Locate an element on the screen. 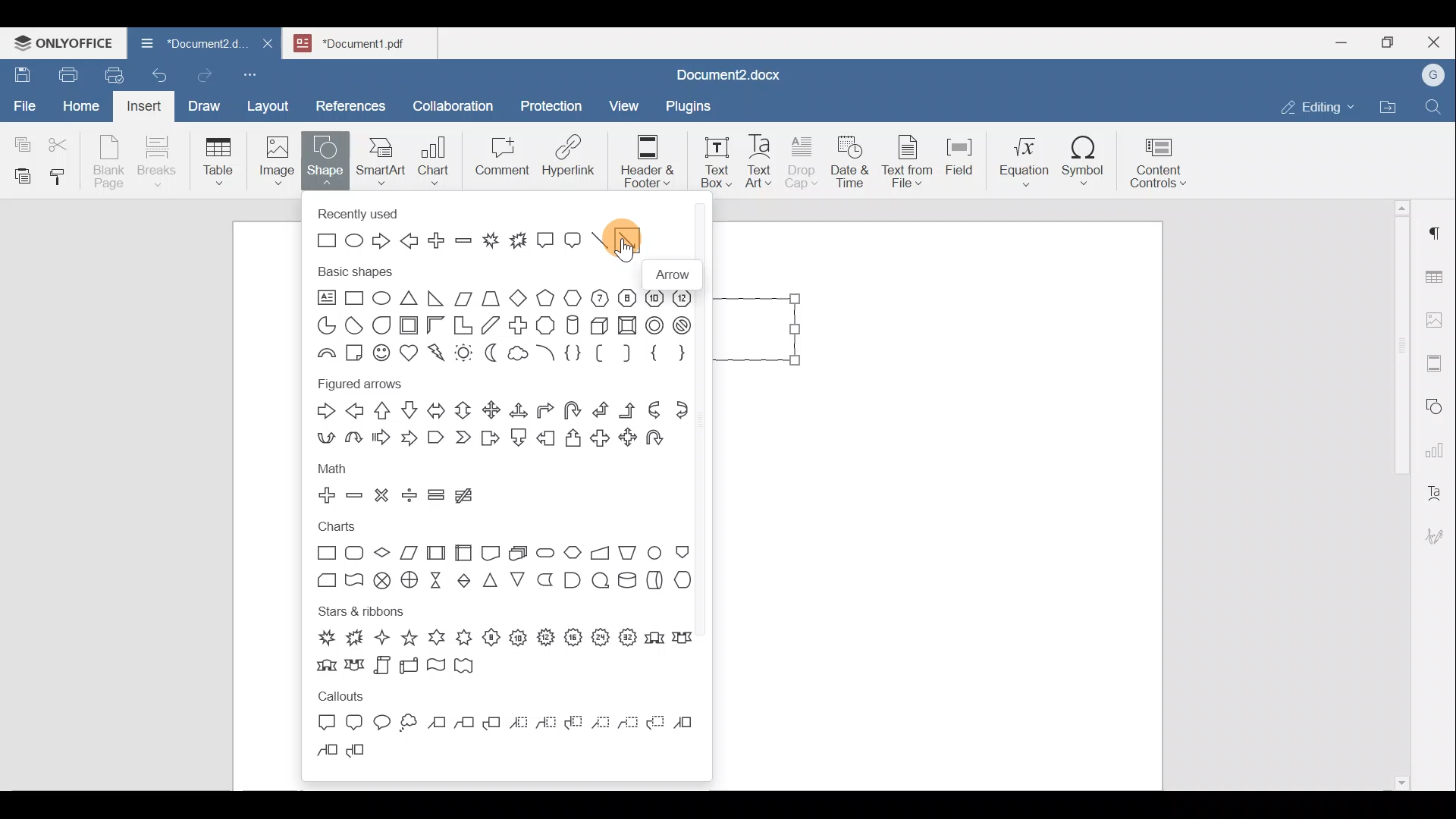  Chart is located at coordinates (431, 162).